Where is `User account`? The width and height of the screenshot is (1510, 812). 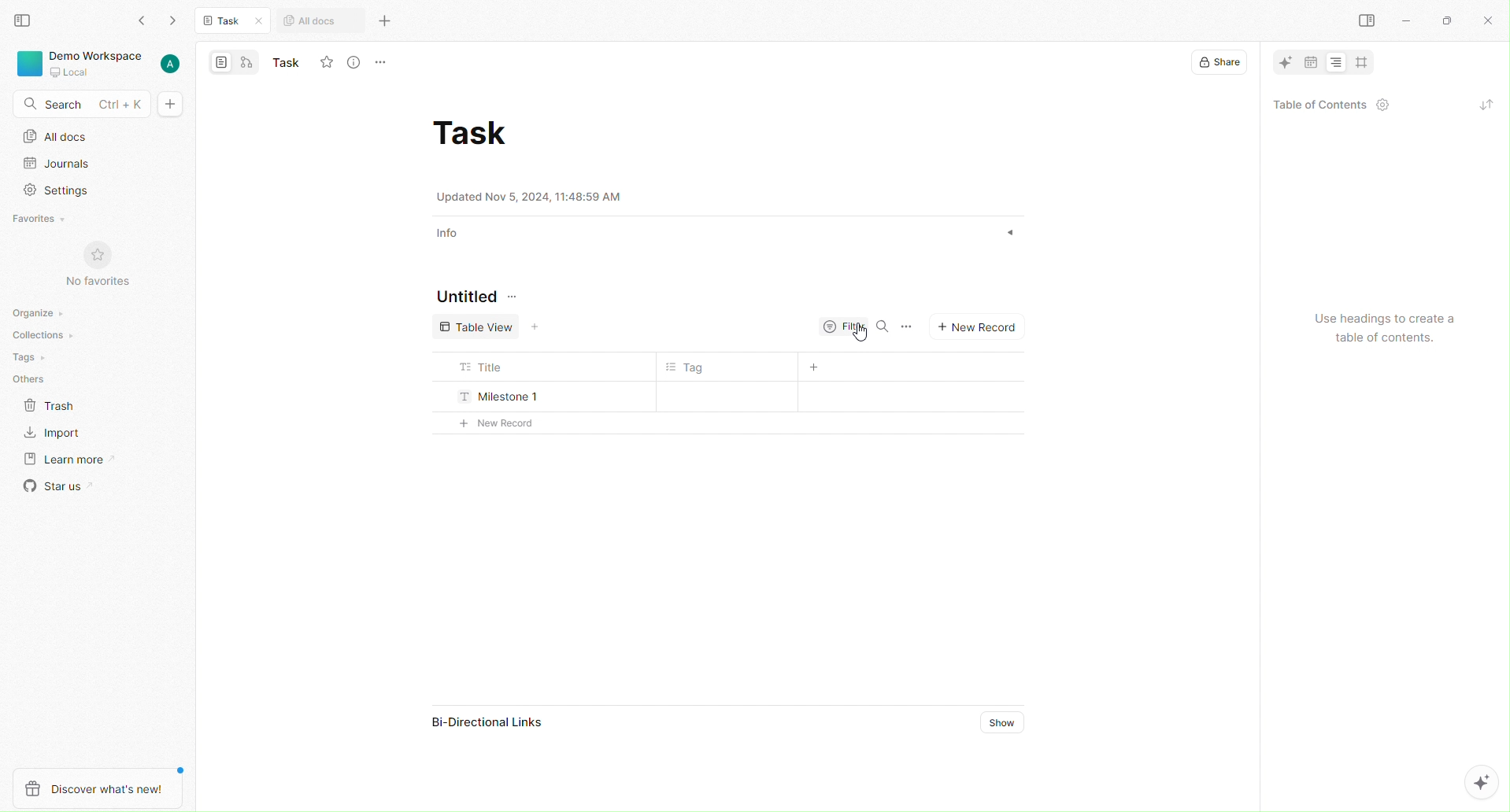 User account is located at coordinates (172, 64).